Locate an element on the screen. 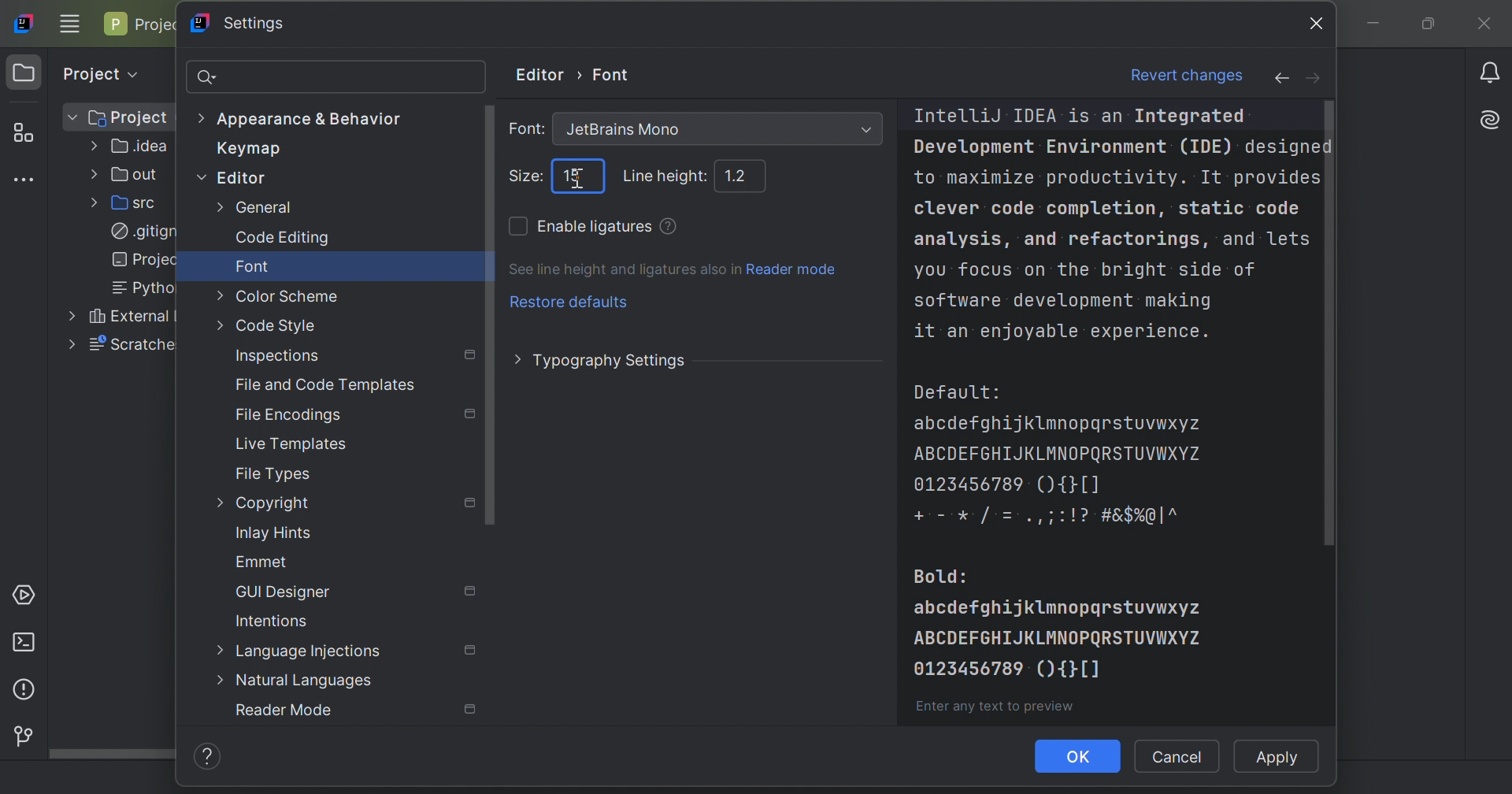 This screenshot has width=1512, height=794. scratche is located at coordinates (121, 347).